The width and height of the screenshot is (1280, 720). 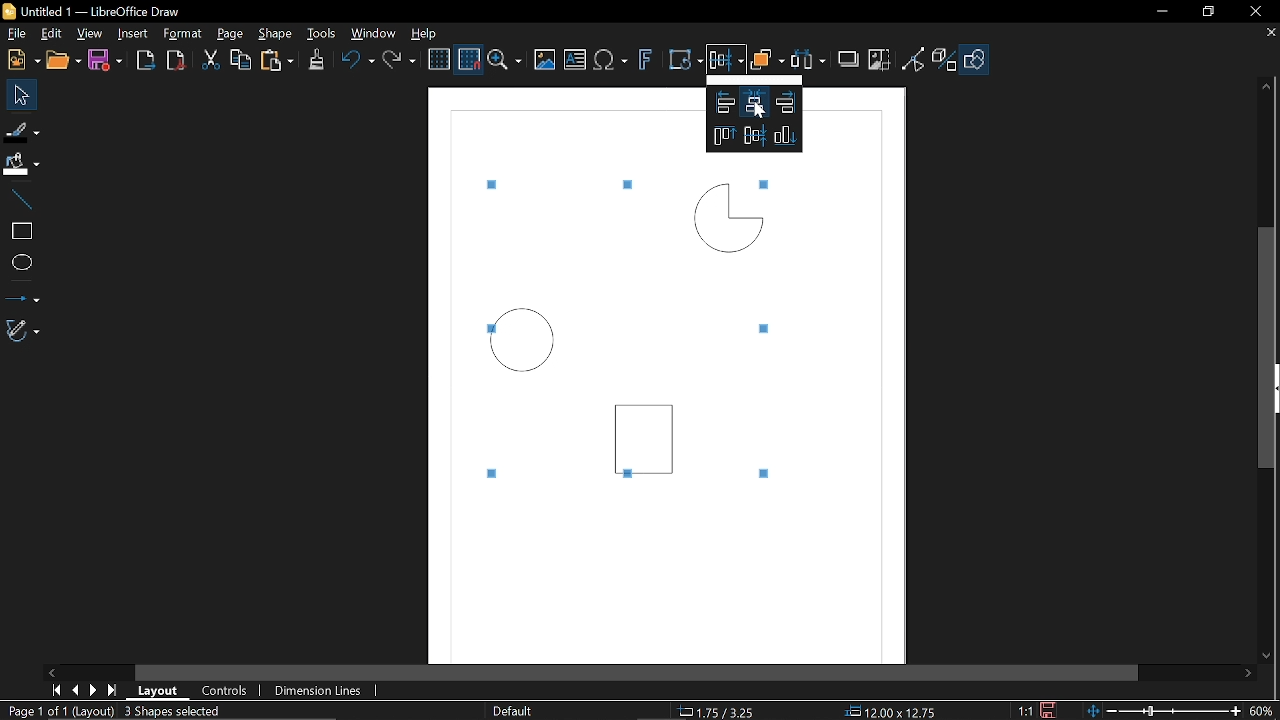 What do you see at coordinates (623, 184) in the screenshot?
I see `Tiny squares sound selected objects` at bounding box center [623, 184].